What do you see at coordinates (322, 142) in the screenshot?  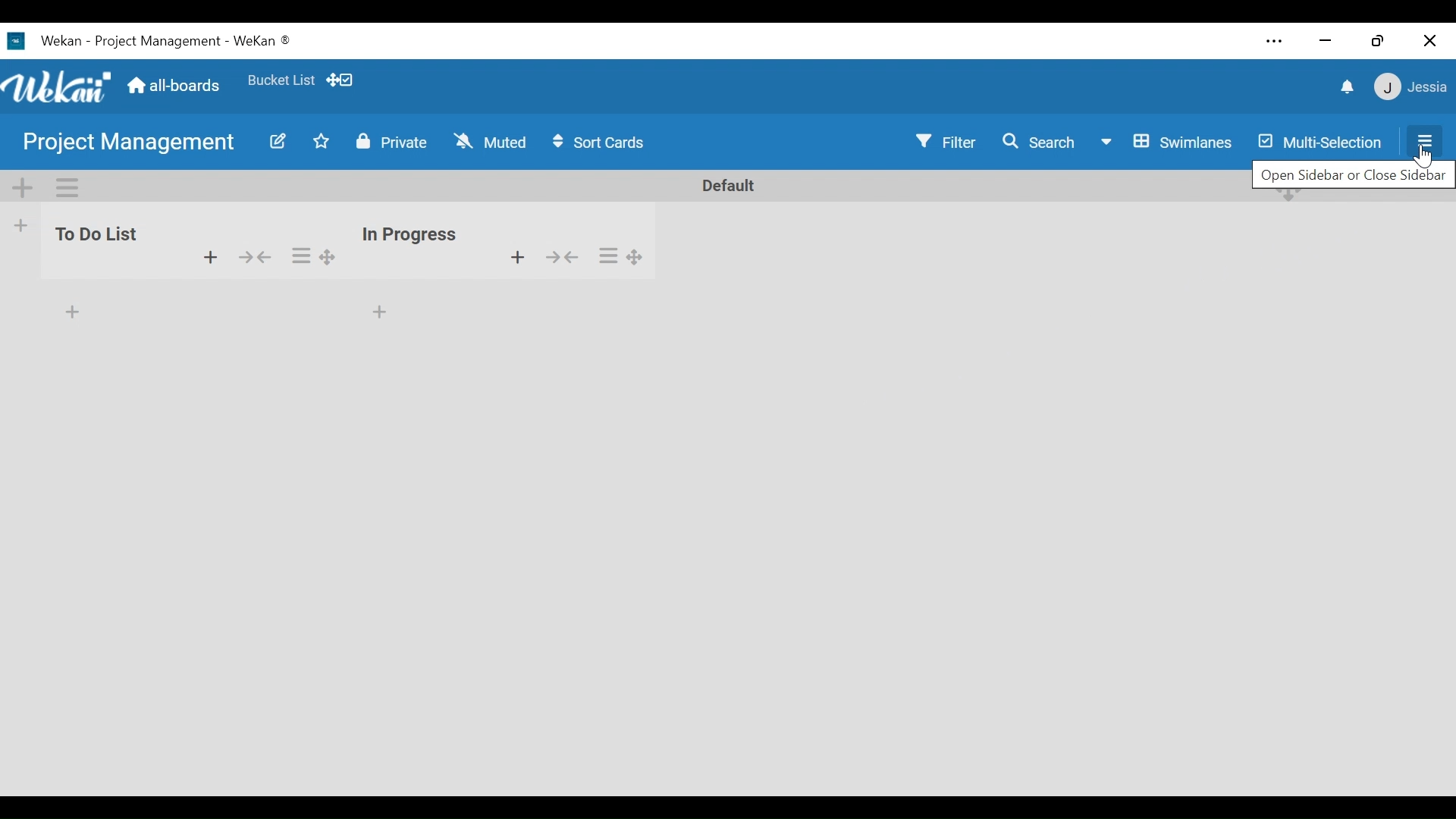 I see `Toggle Favorites` at bounding box center [322, 142].